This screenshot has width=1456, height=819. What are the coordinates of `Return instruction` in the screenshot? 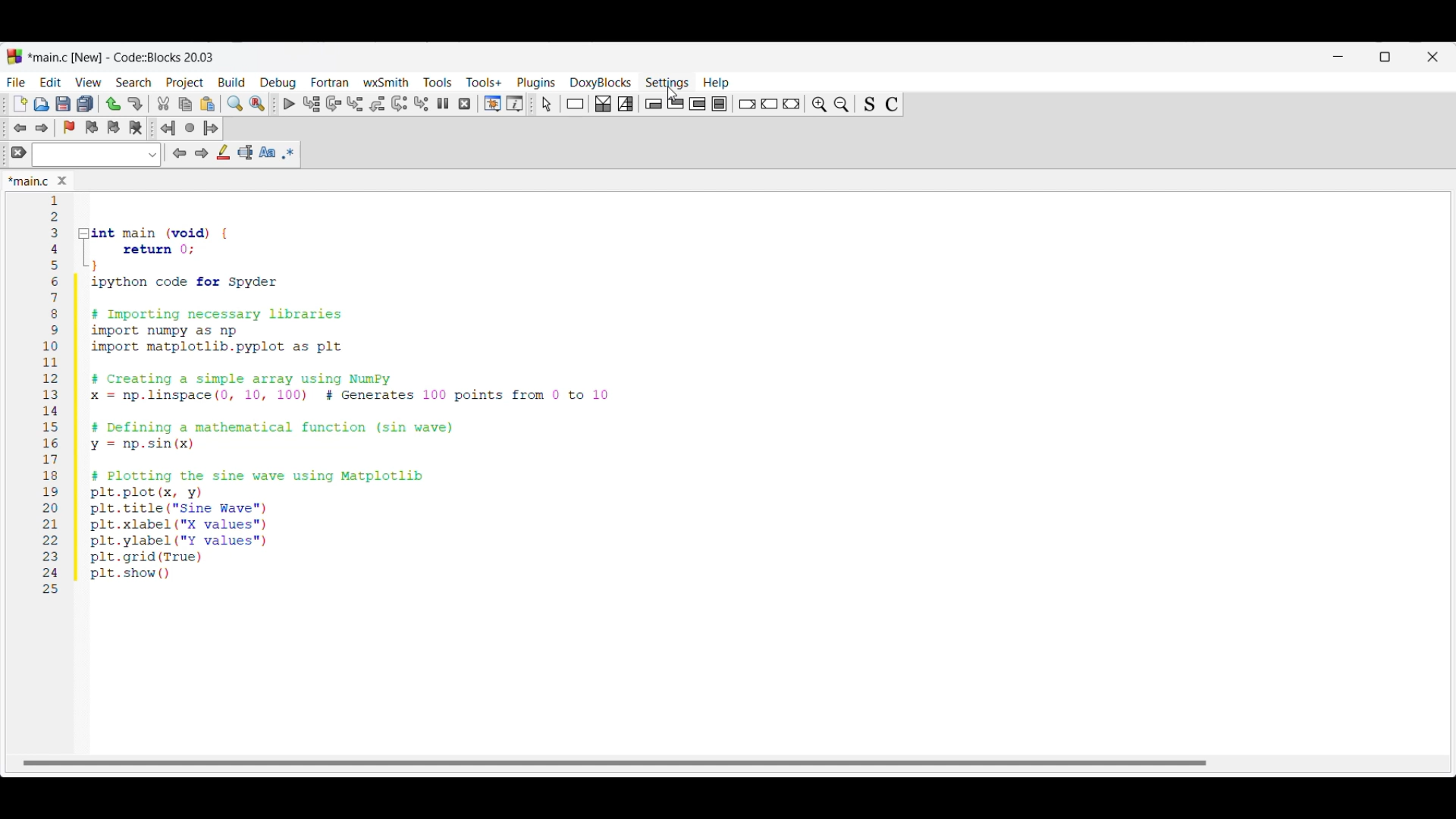 It's located at (791, 104).